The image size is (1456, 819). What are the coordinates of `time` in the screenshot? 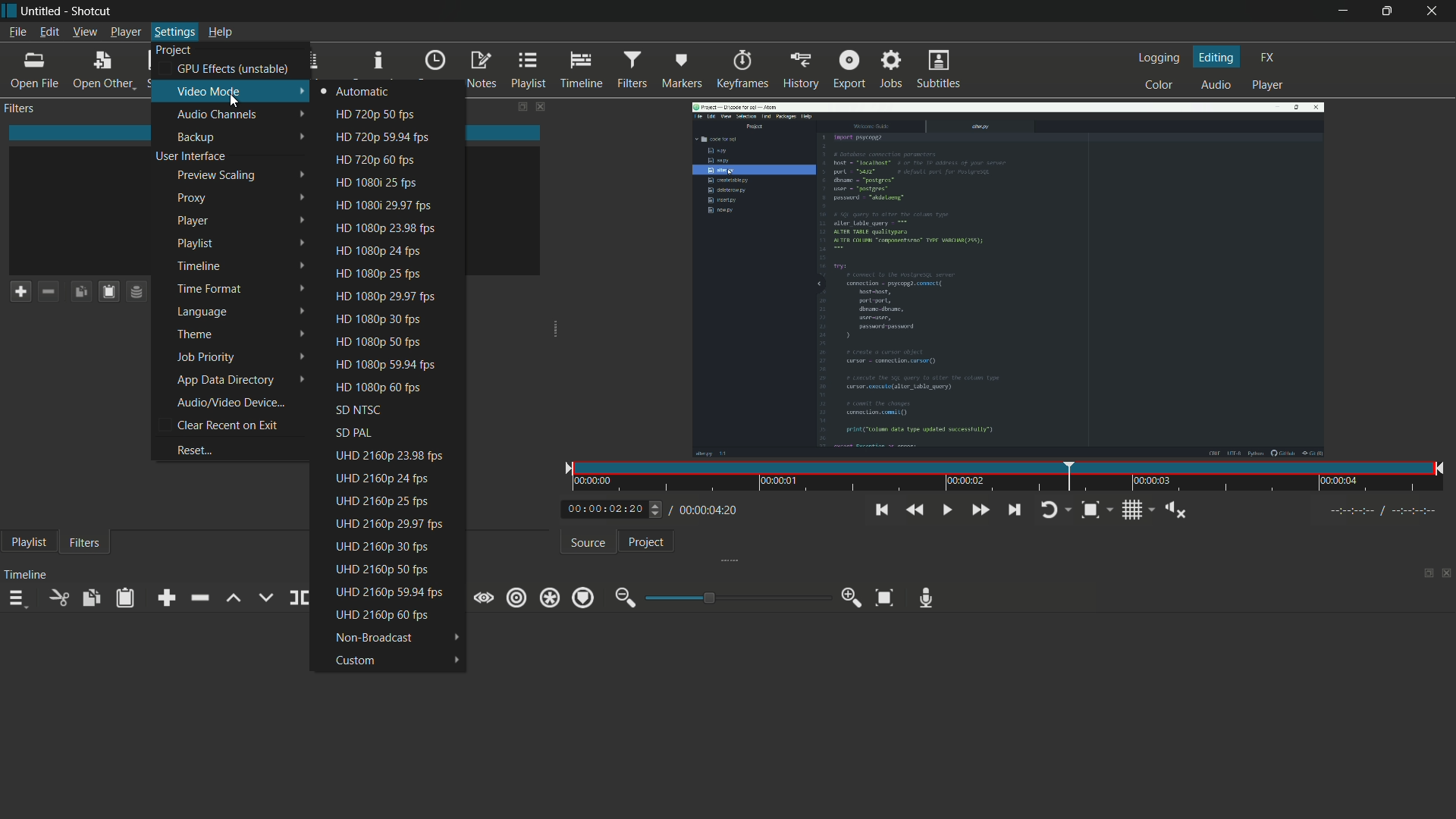 It's located at (1012, 476).